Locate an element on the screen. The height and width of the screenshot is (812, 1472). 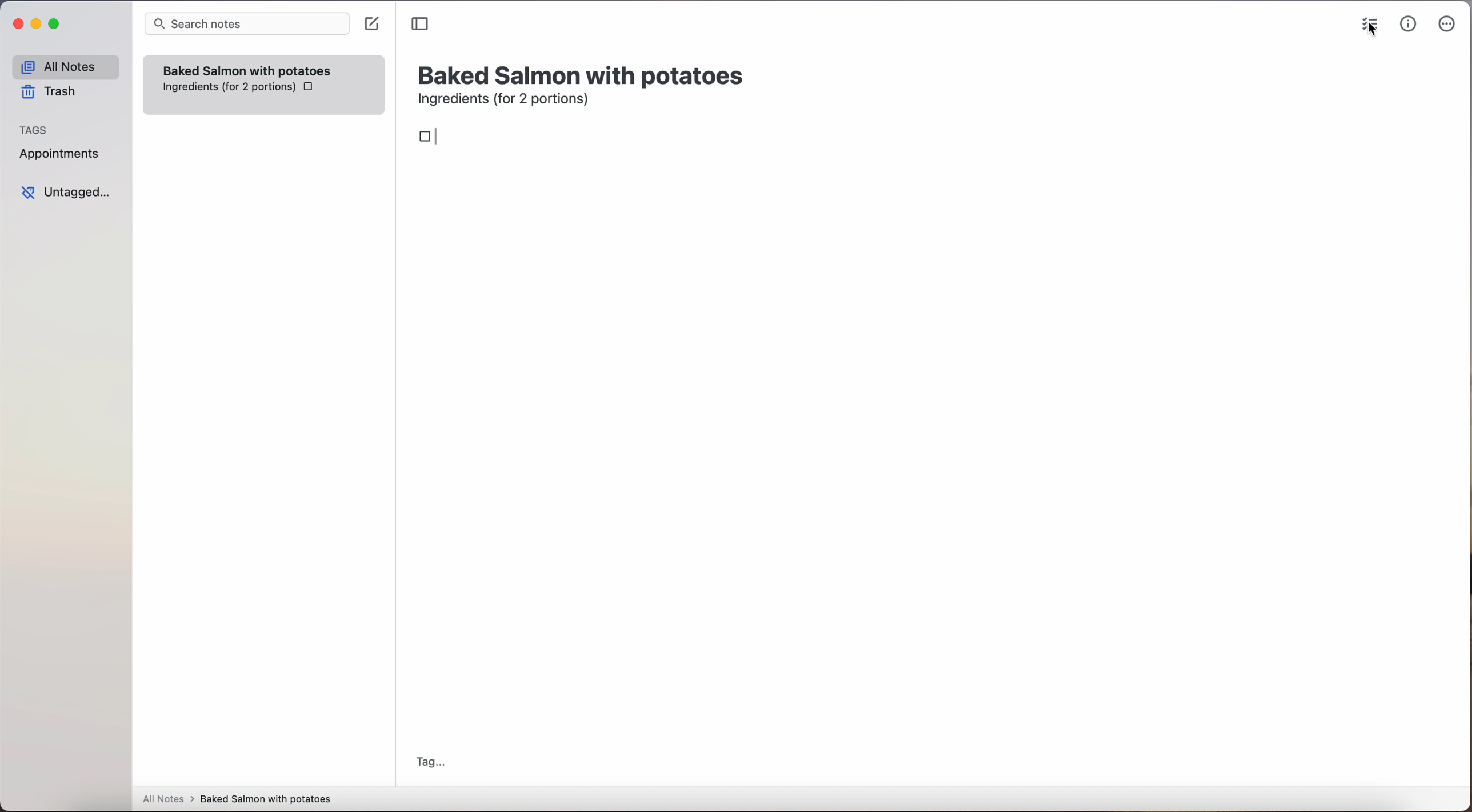
tags is located at coordinates (34, 129).